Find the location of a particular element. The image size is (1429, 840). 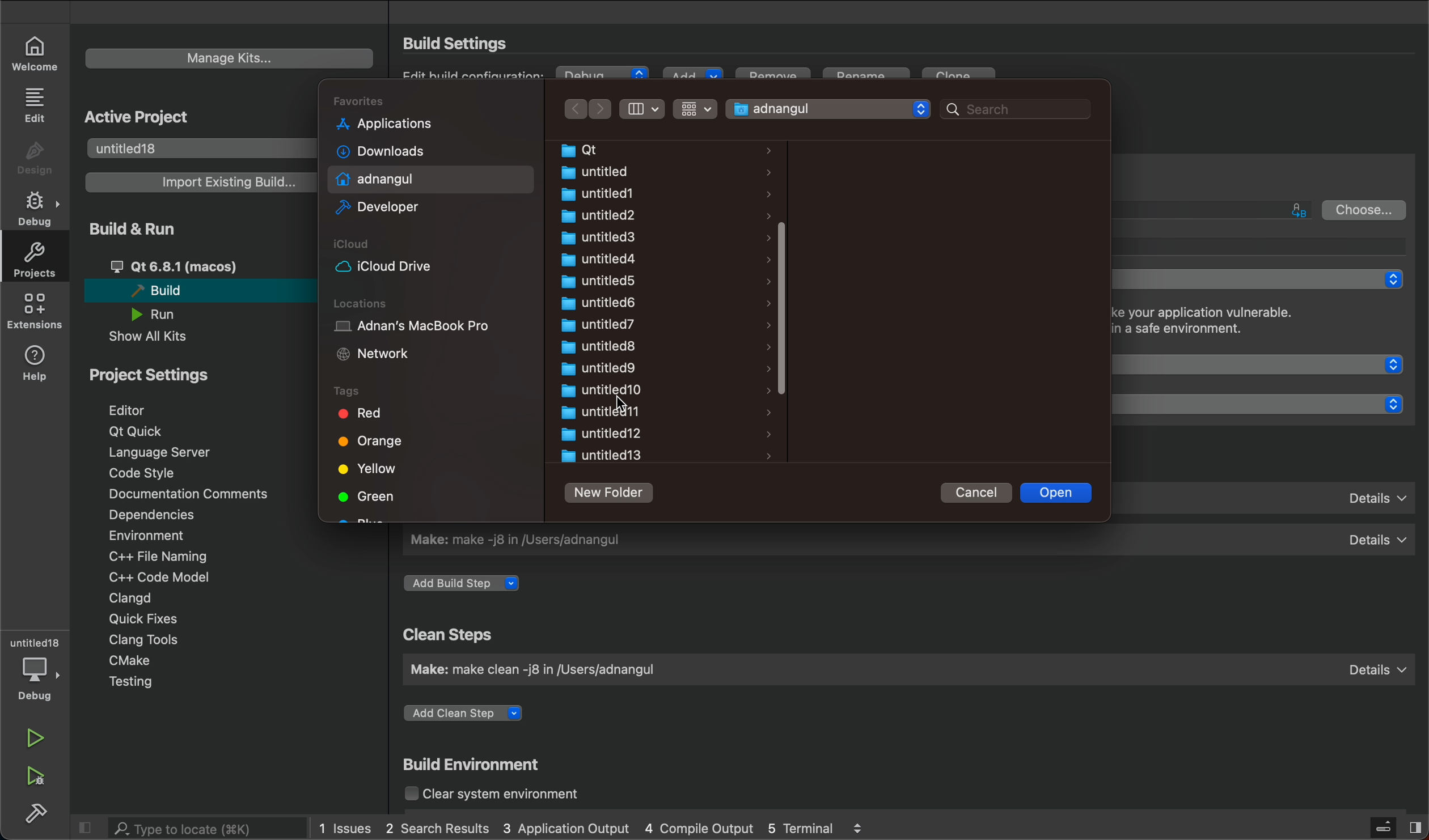

clangd is located at coordinates (132, 596).